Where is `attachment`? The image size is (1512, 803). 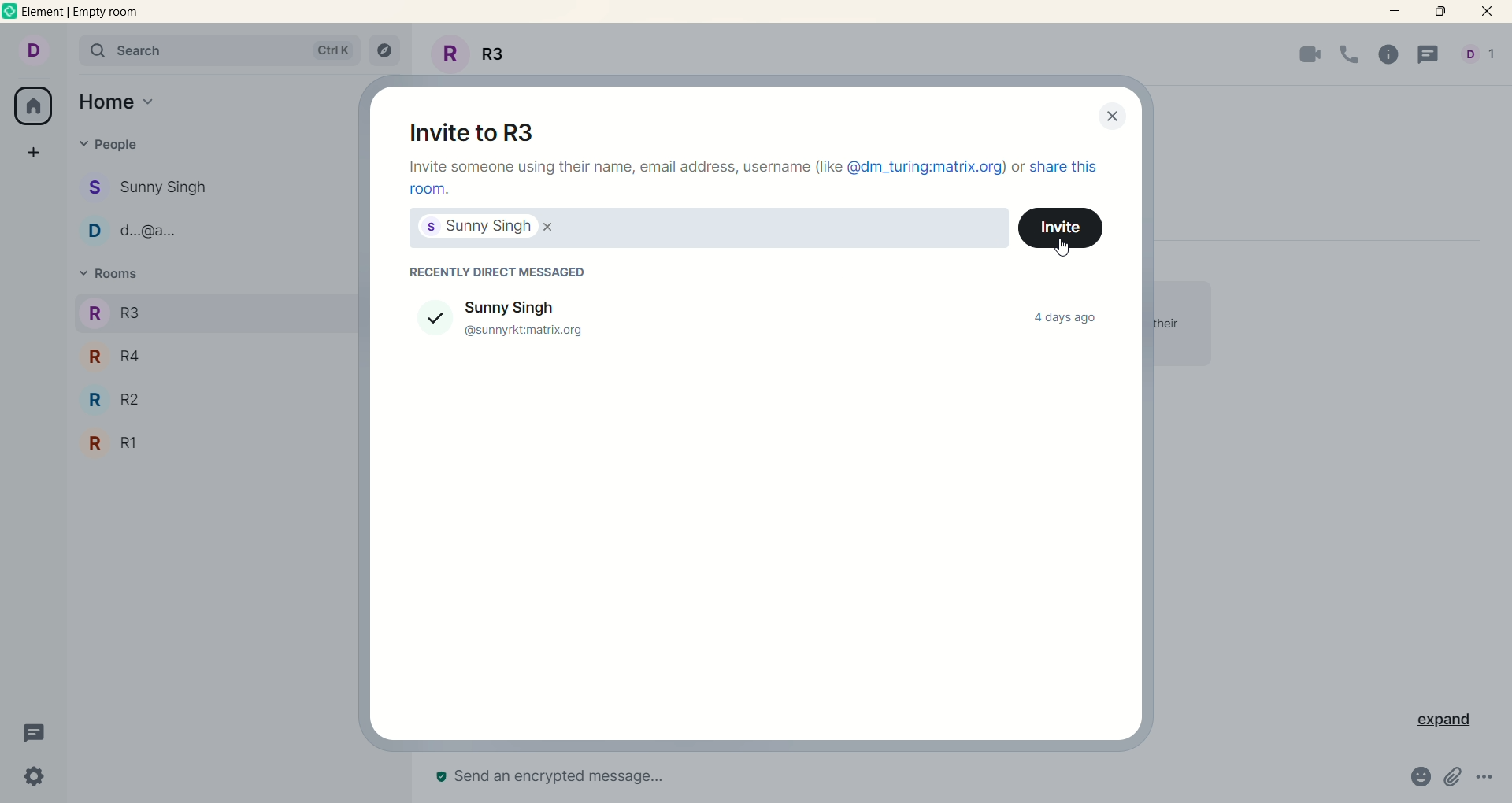
attachment is located at coordinates (1453, 779).